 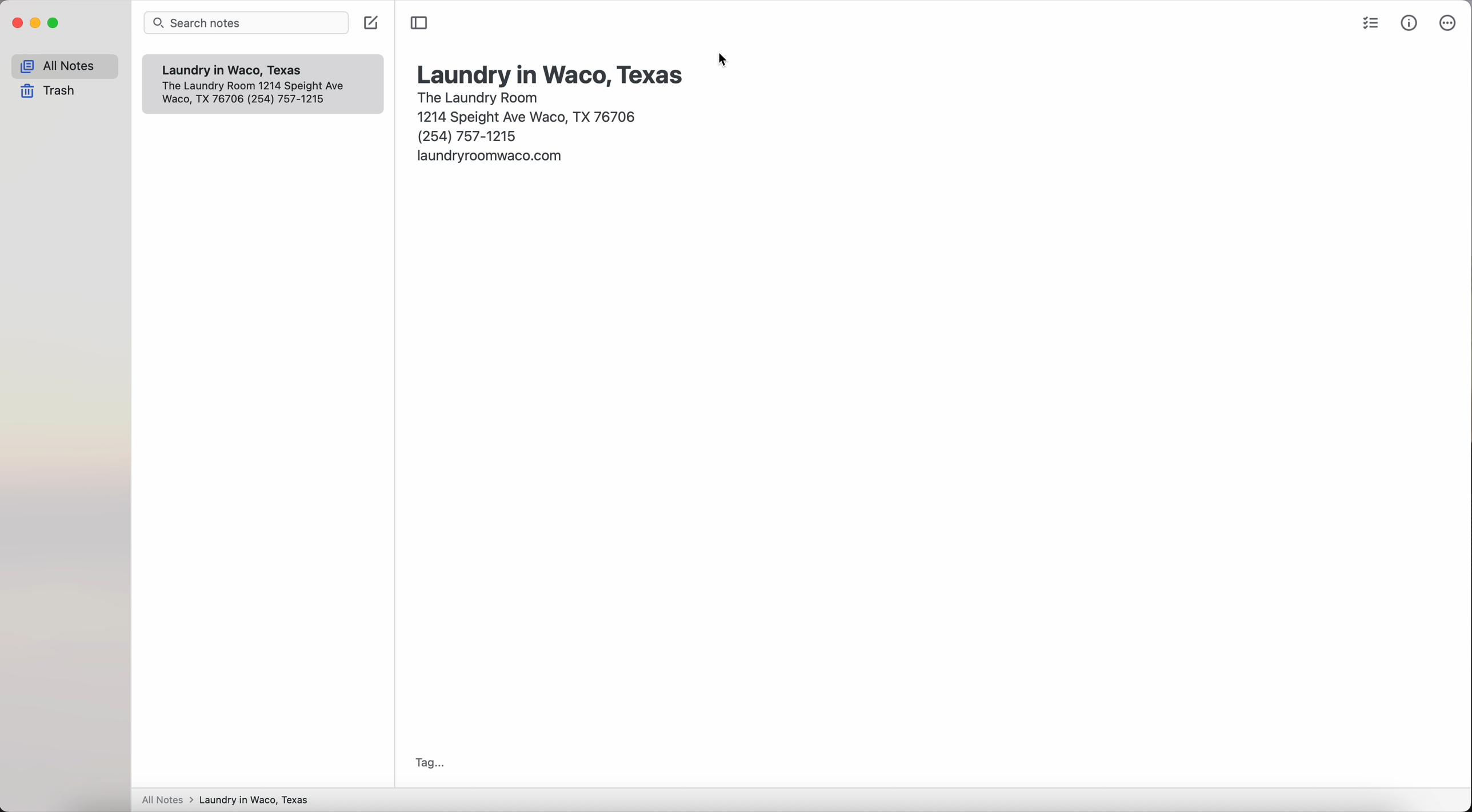 What do you see at coordinates (65, 66) in the screenshot?
I see `all notes` at bounding box center [65, 66].